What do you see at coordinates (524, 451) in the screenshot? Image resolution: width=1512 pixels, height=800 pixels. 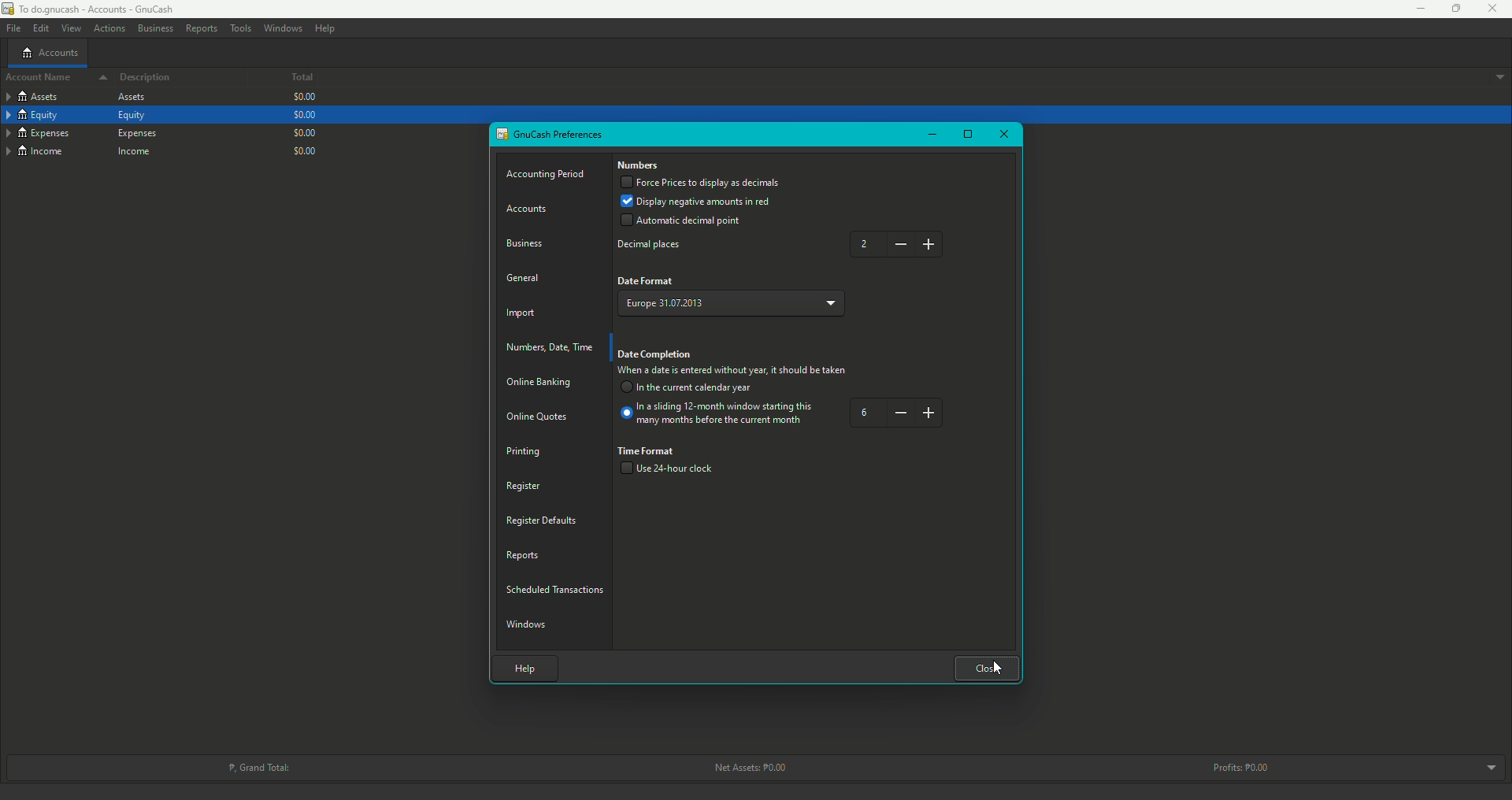 I see `Printing` at bounding box center [524, 451].